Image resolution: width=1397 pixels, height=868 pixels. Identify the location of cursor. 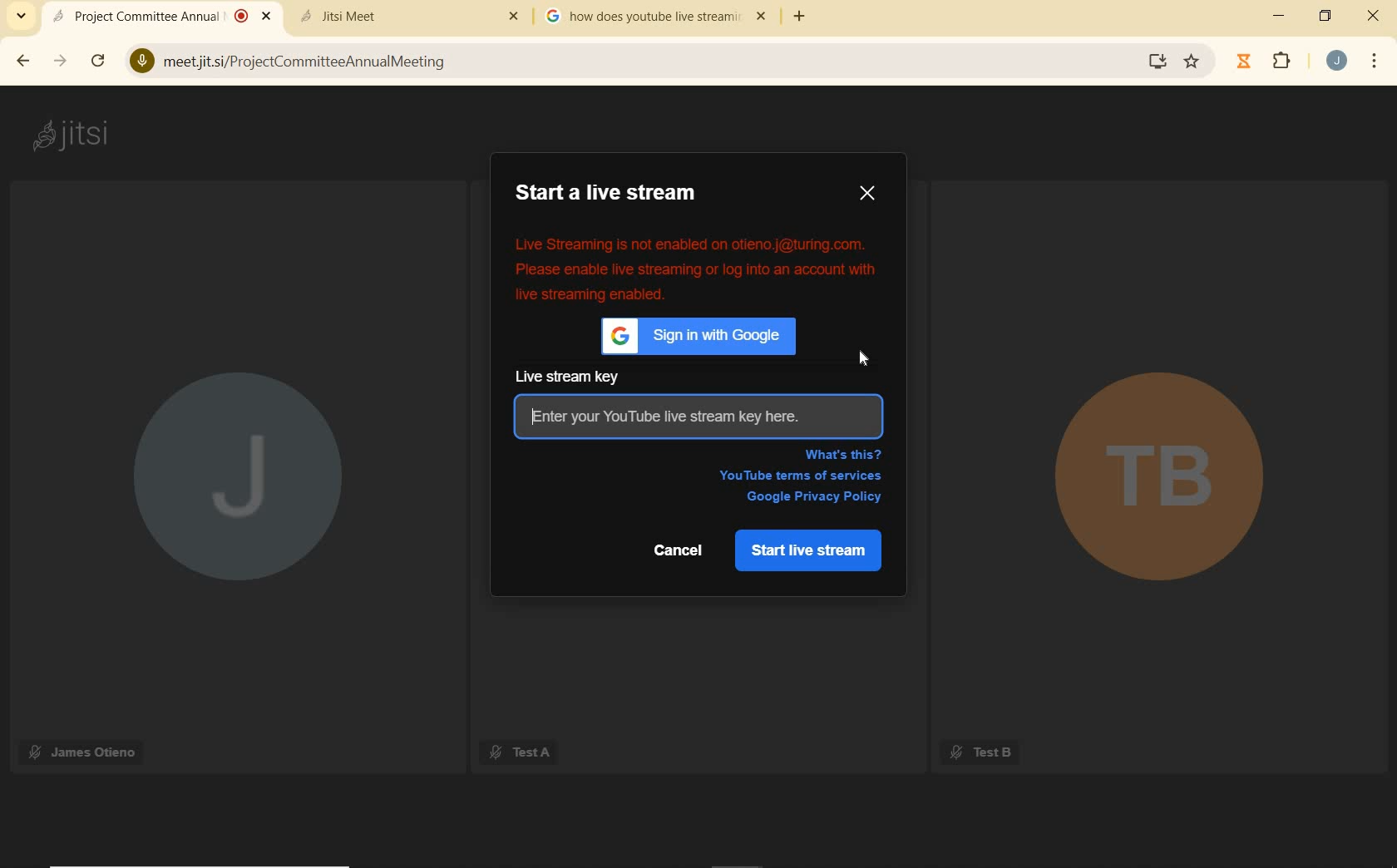
(865, 360).